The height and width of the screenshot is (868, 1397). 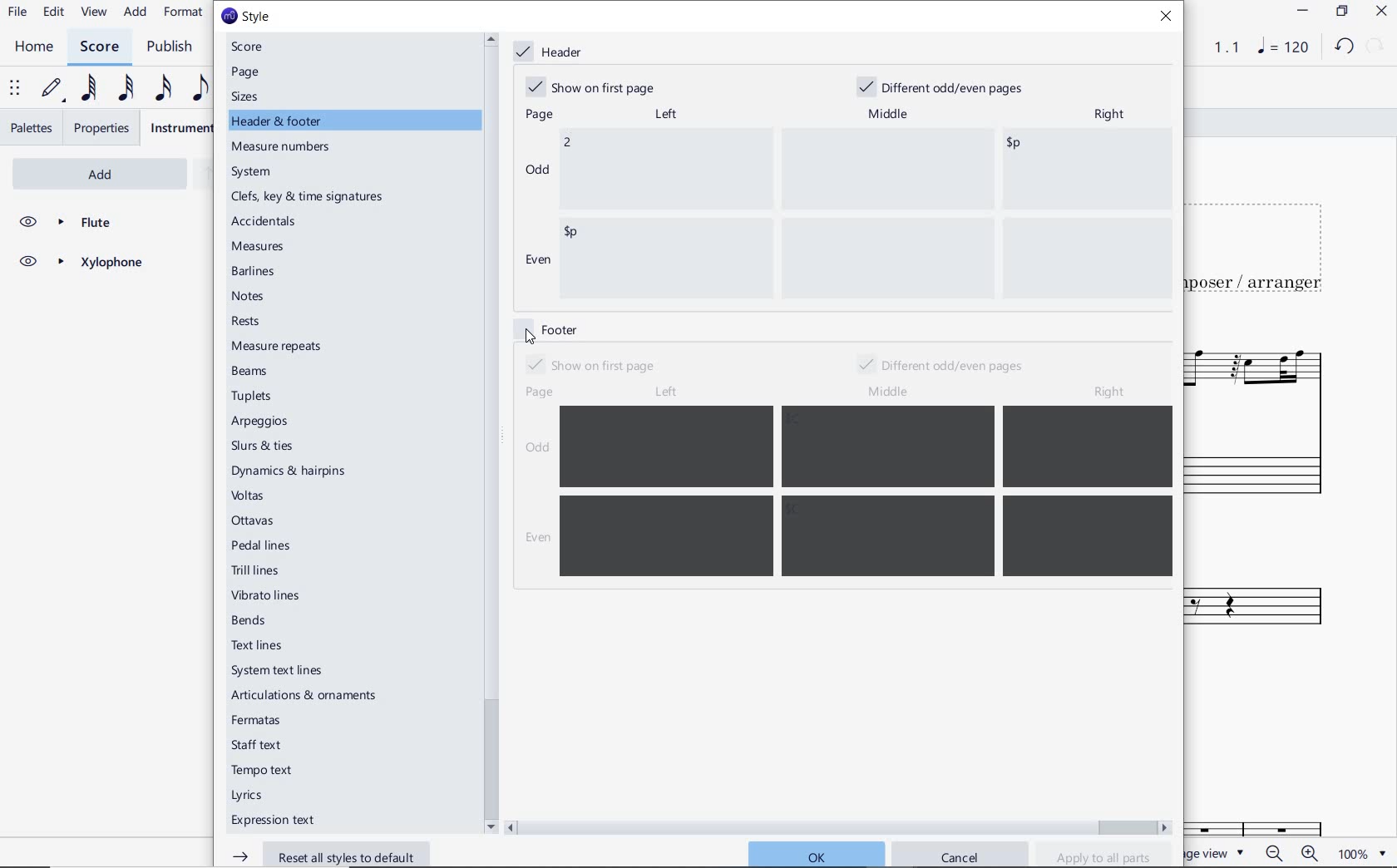 I want to click on even, so click(x=536, y=262).